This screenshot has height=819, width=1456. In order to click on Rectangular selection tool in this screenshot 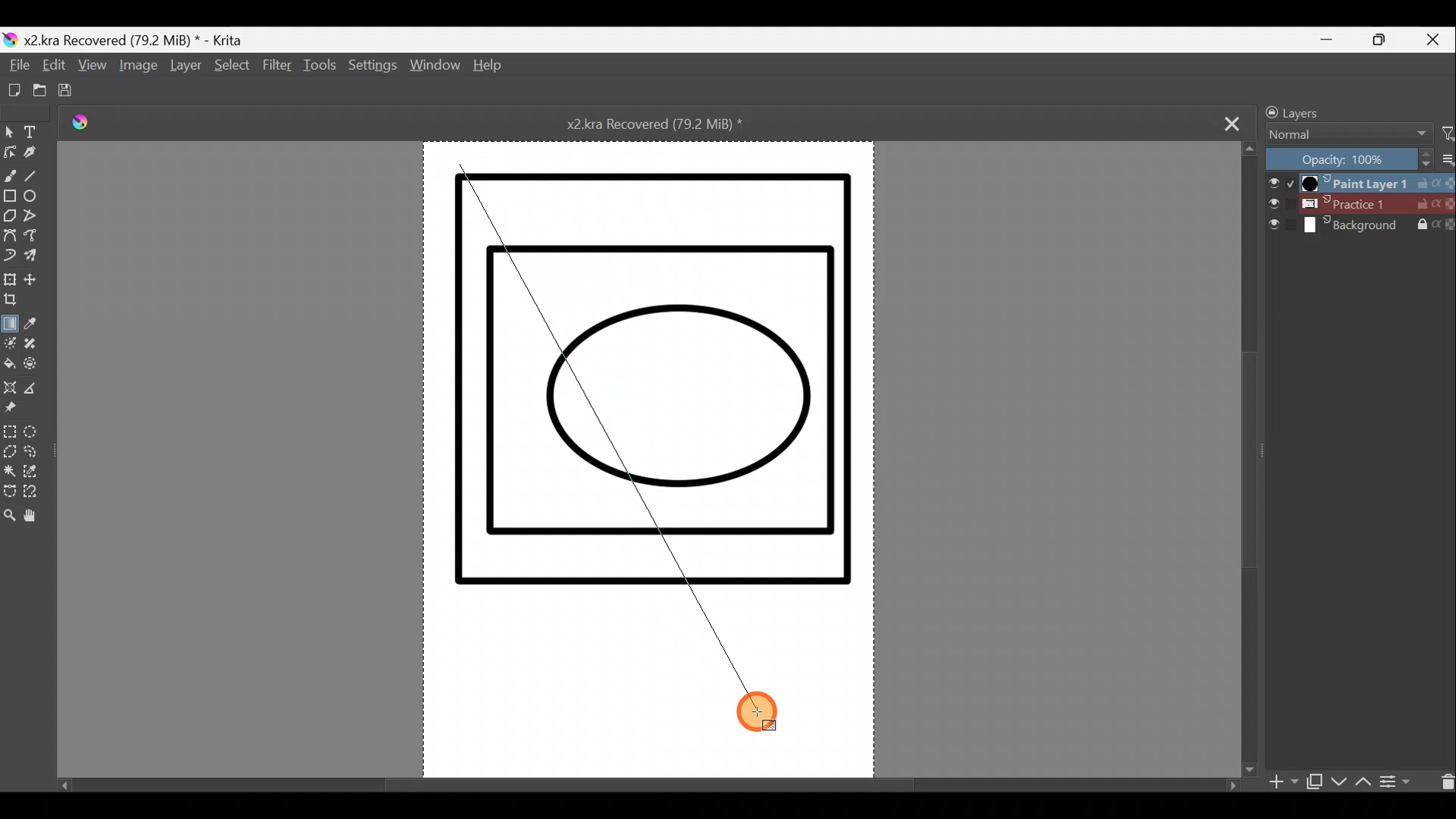, I will do `click(9, 434)`.